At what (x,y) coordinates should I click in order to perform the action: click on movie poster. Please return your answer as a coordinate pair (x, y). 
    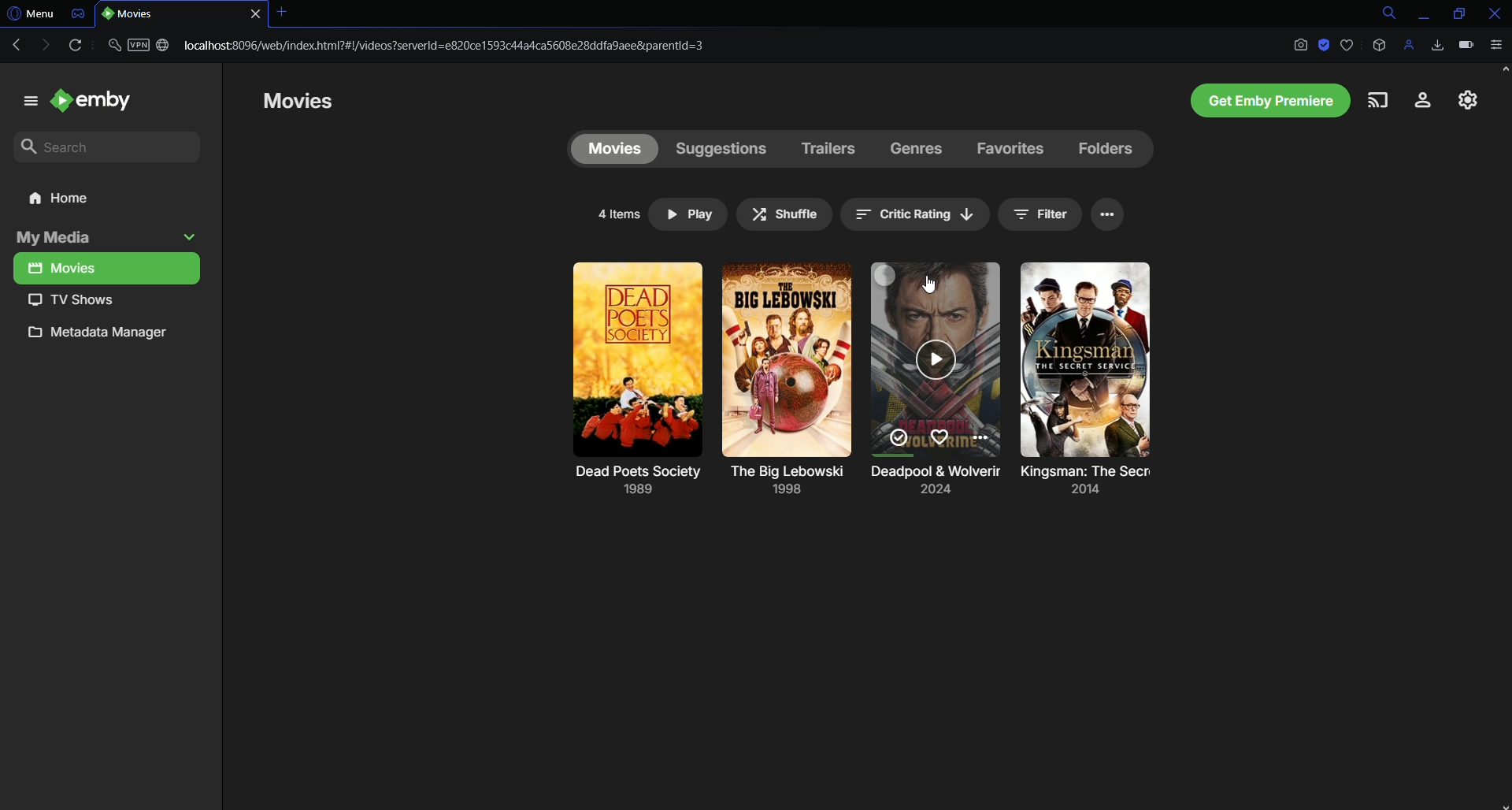
    Looking at the image, I should click on (935, 359).